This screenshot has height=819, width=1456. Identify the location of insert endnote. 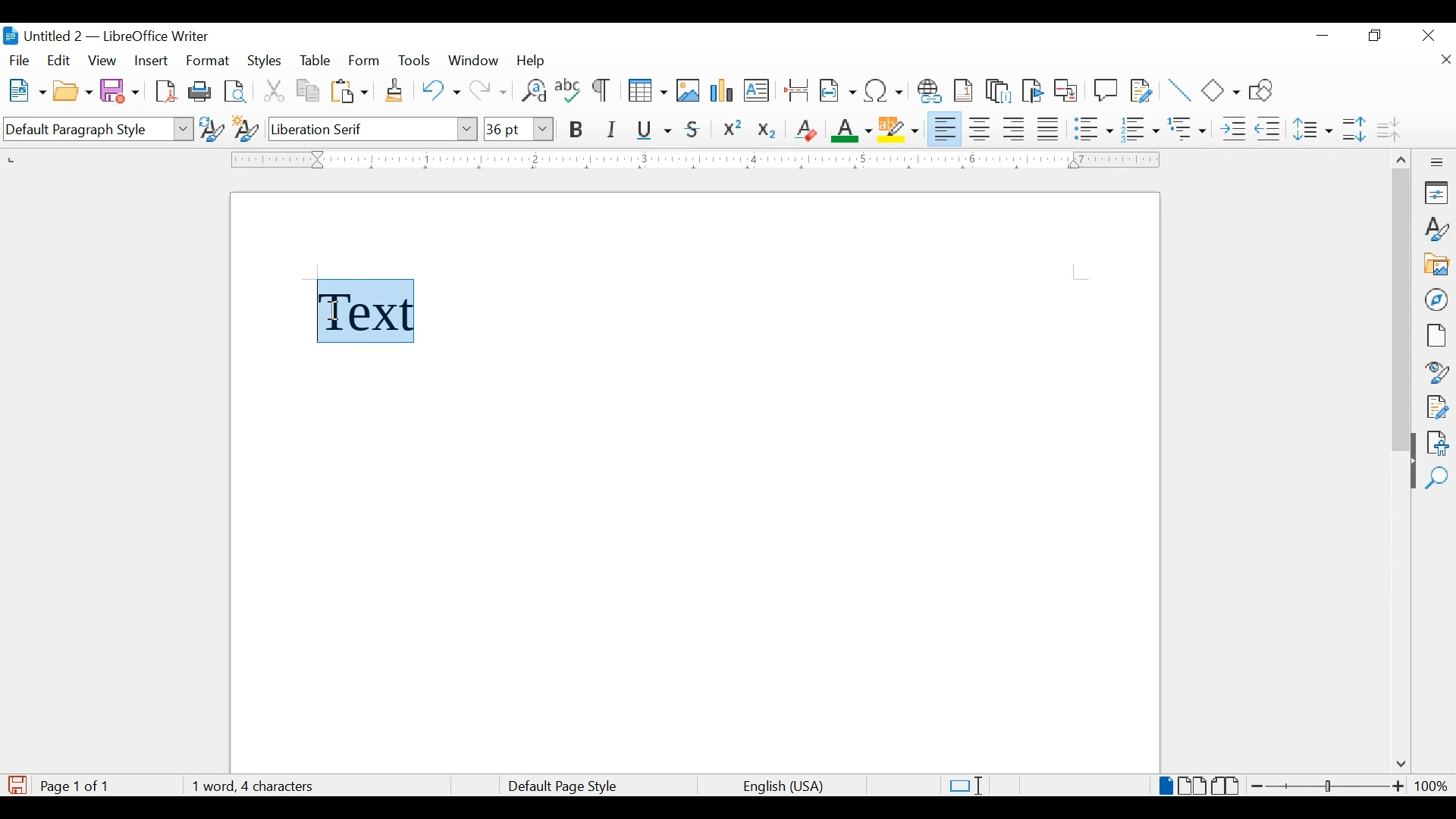
(999, 91).